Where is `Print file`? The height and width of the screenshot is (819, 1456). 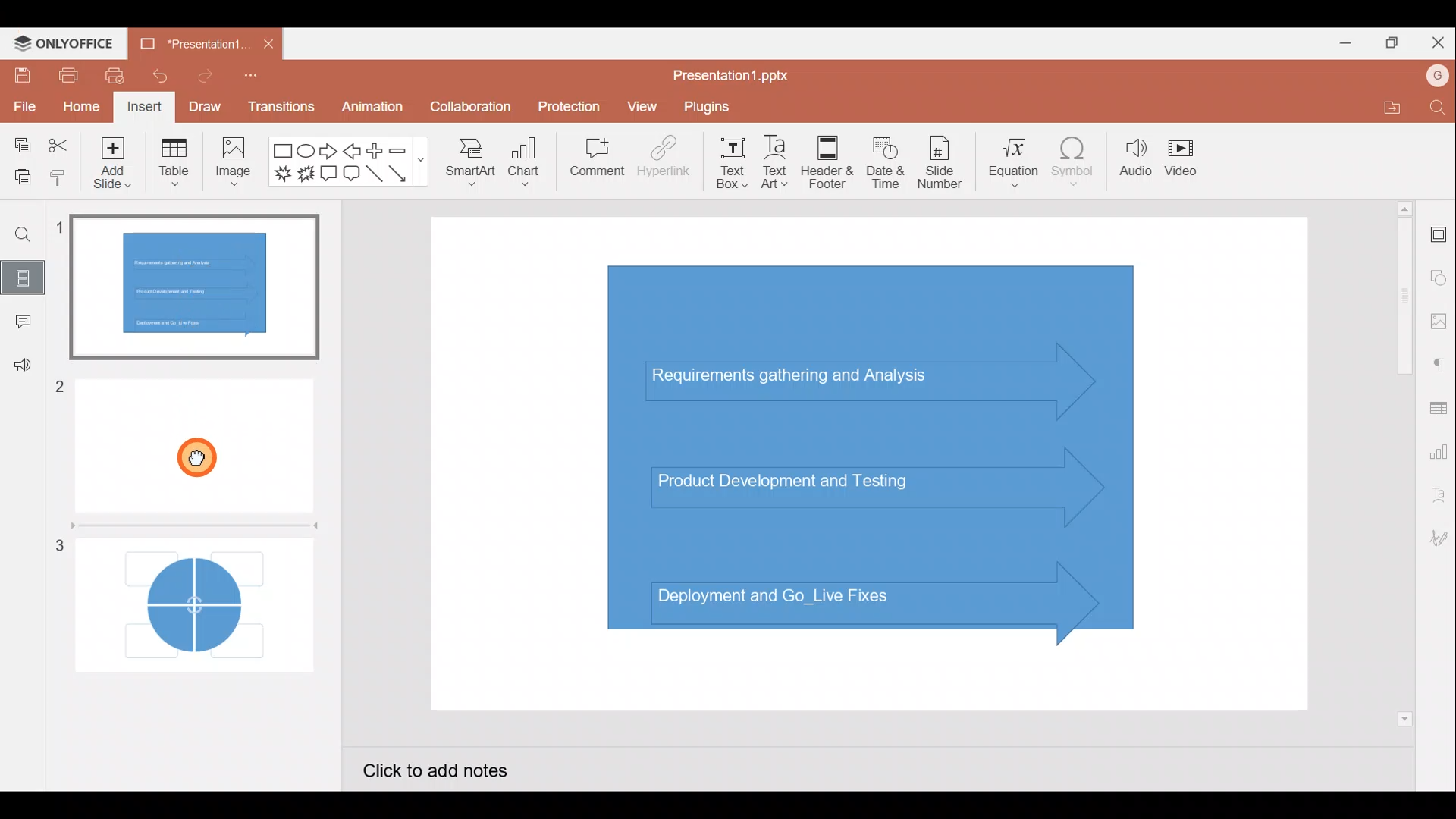
Print file is located at coordinates (63, 76).